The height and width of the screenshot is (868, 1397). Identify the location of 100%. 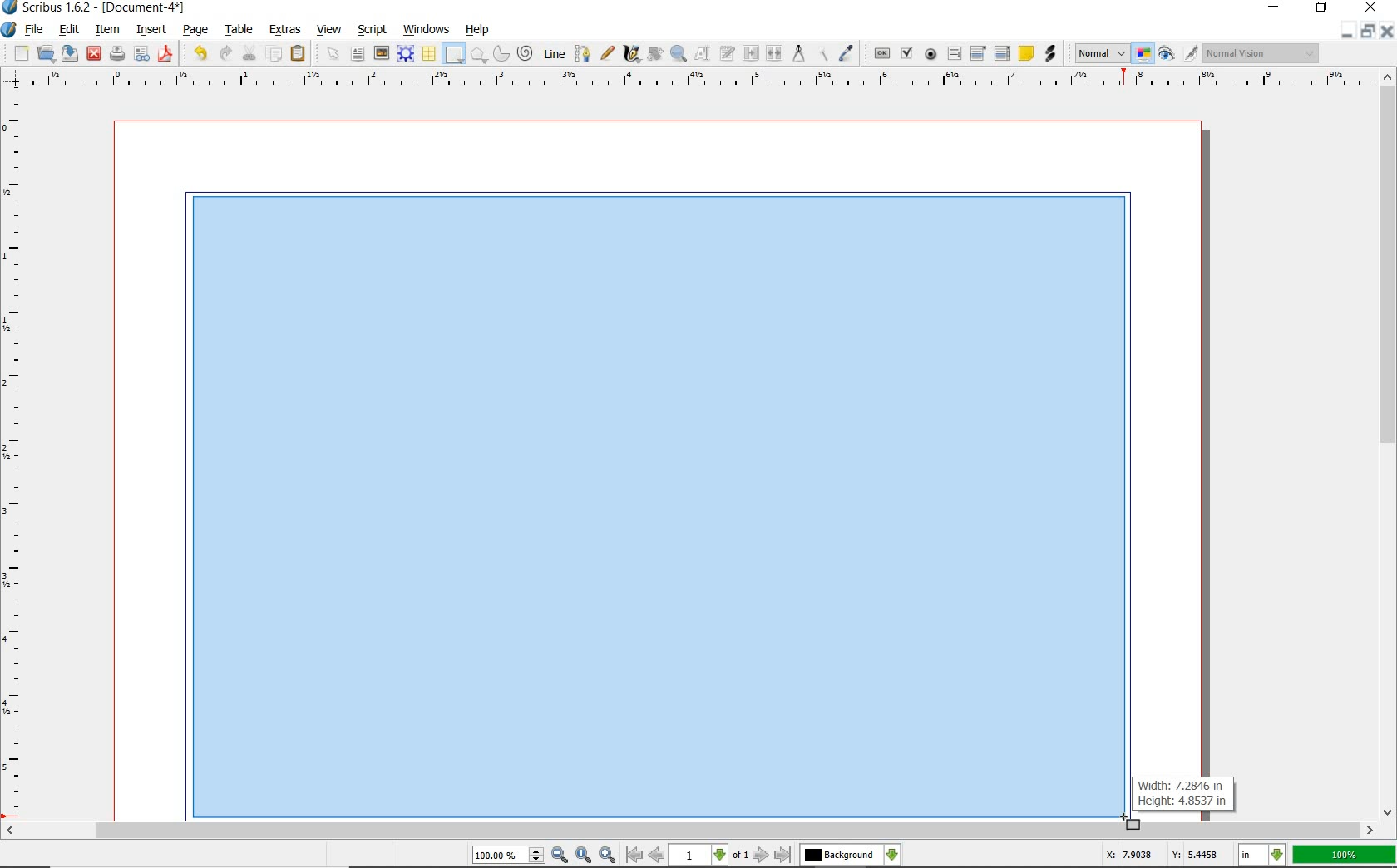
(1344, 855).